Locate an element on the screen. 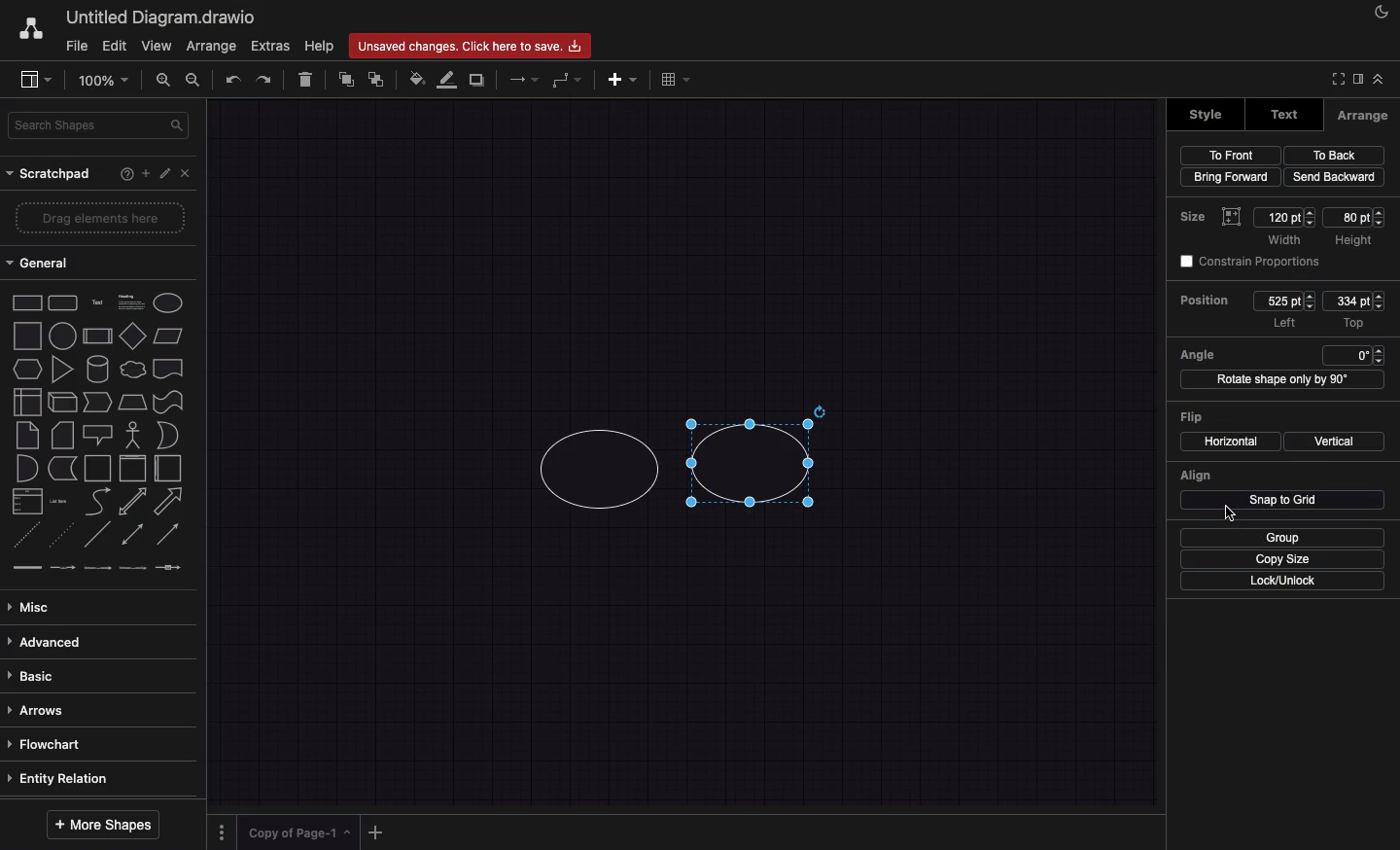 Image resolution: width=1400 pixels, height=850 pixels. connector with 3 labels is located at coordinates (130, 568).